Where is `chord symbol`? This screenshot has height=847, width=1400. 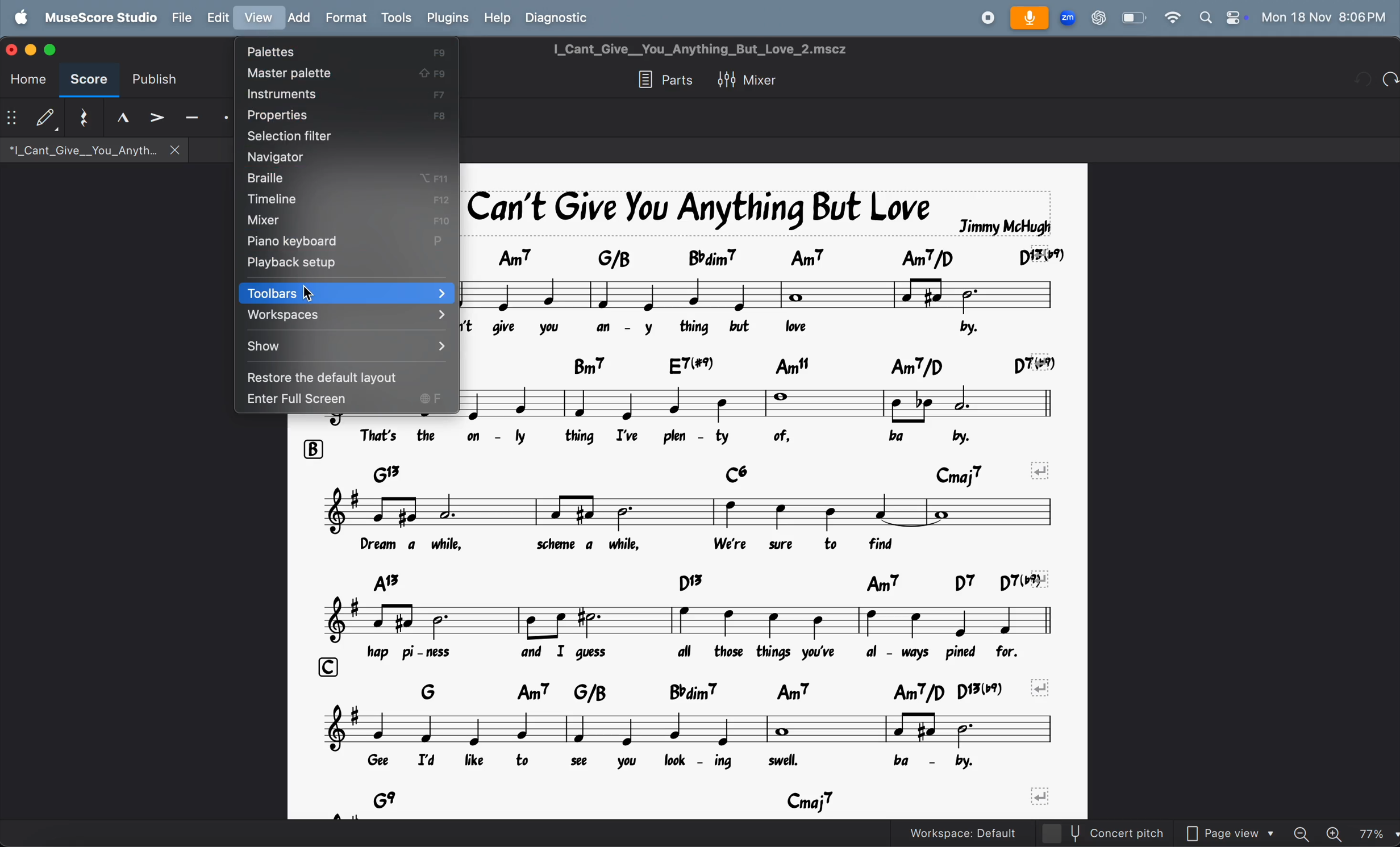 chord symbol is located at coordinates (765, 257).